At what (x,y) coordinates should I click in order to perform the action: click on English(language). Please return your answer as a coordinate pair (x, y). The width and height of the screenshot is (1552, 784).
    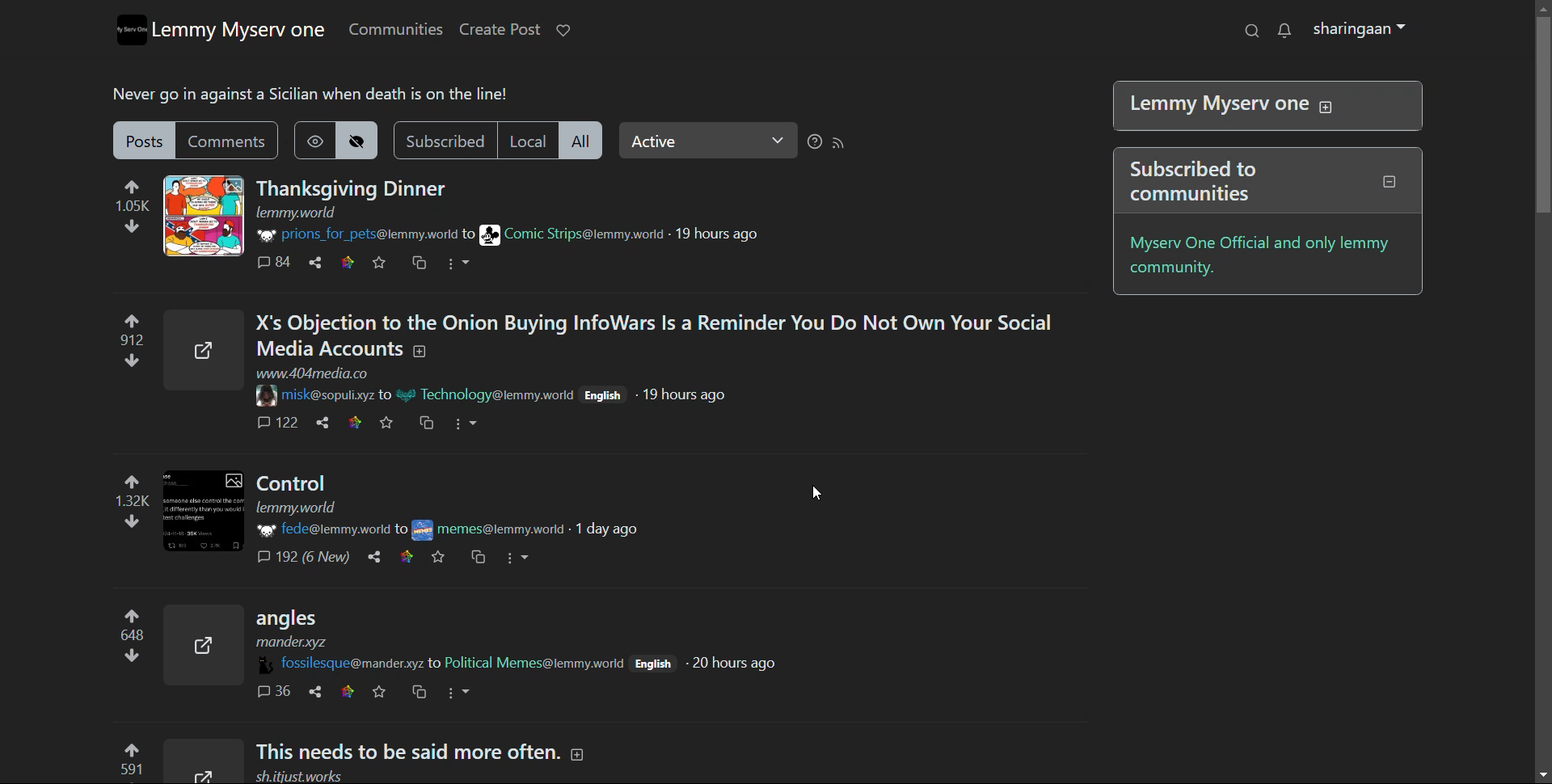
    Looking at the image, I should click on (603, 395).